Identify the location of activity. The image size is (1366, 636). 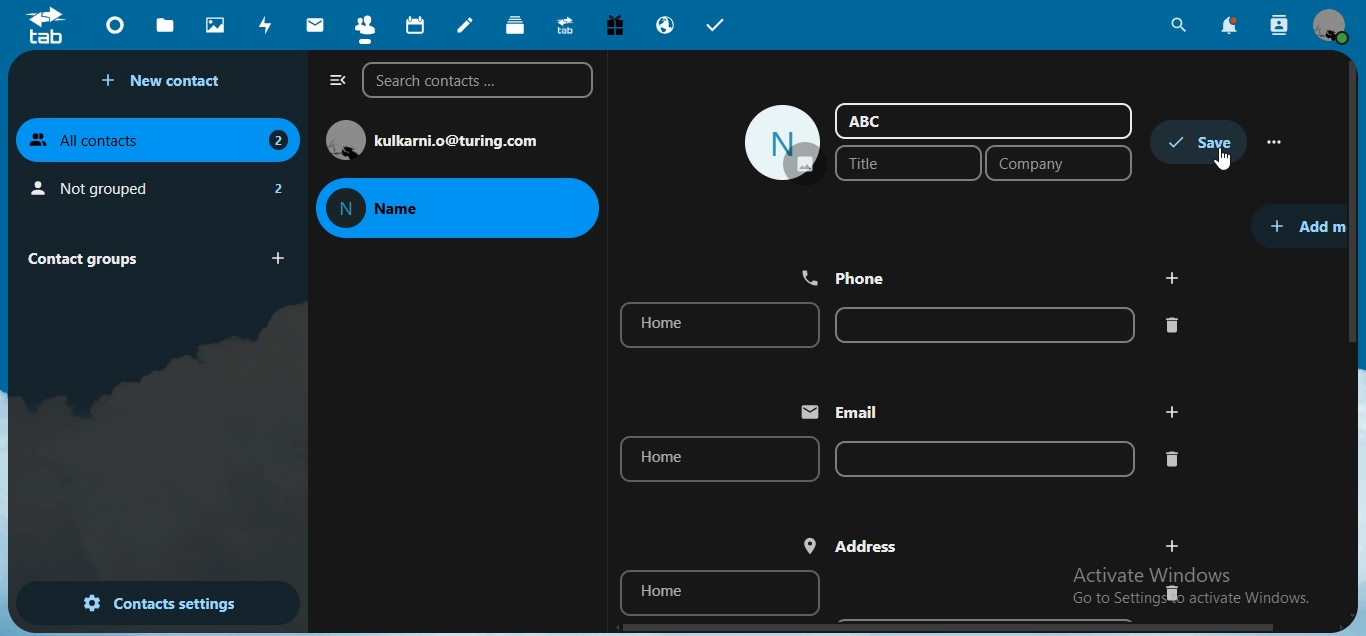
(265, 25).